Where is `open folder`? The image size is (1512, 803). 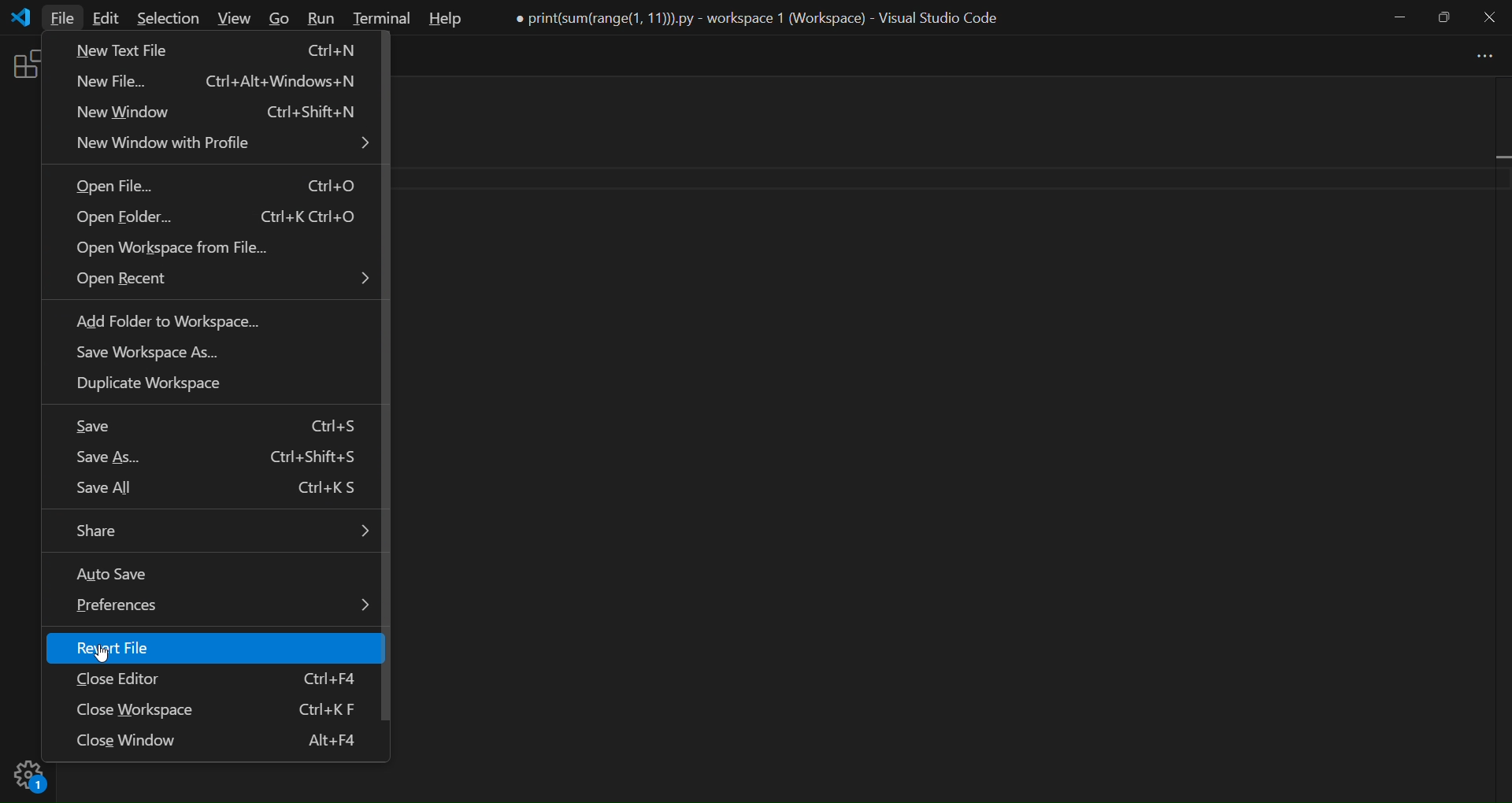 open folder is located at coordinates (214, 219).